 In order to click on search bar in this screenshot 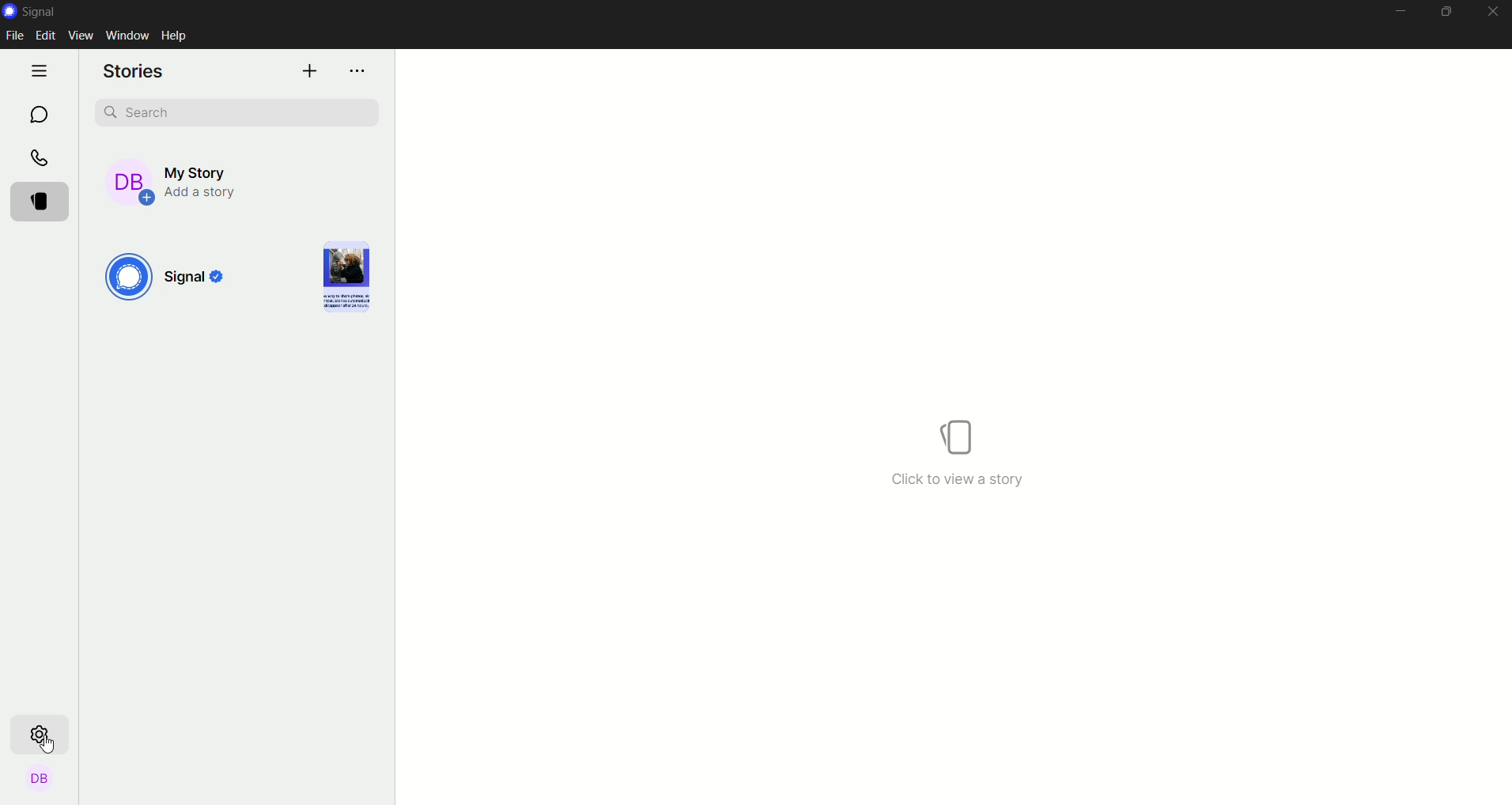, I will do `click(239, 111)`.